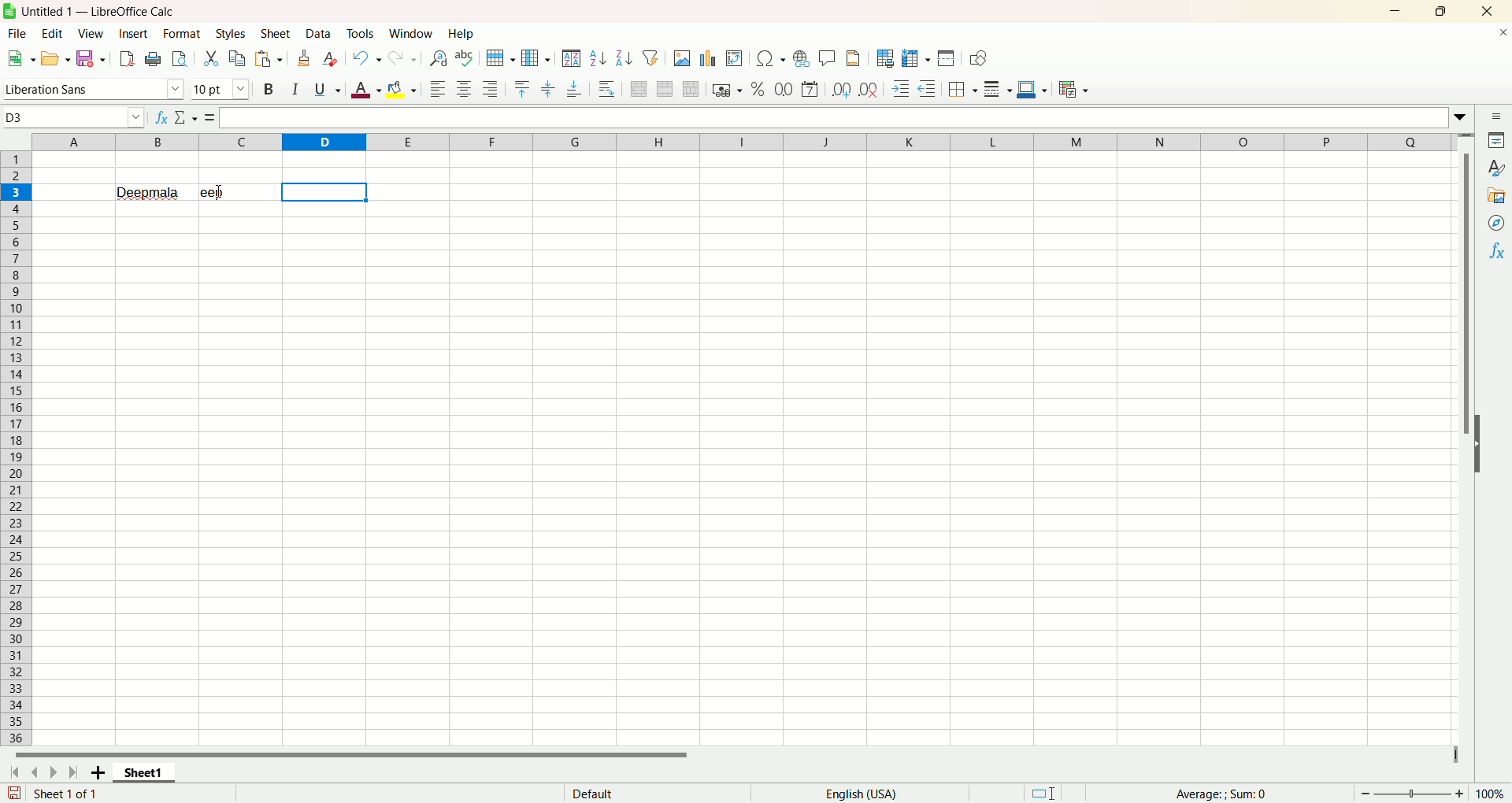  Describe the element at coordinates (801, 57) in the screenshot. I see `Insert hyperlink` at that location.